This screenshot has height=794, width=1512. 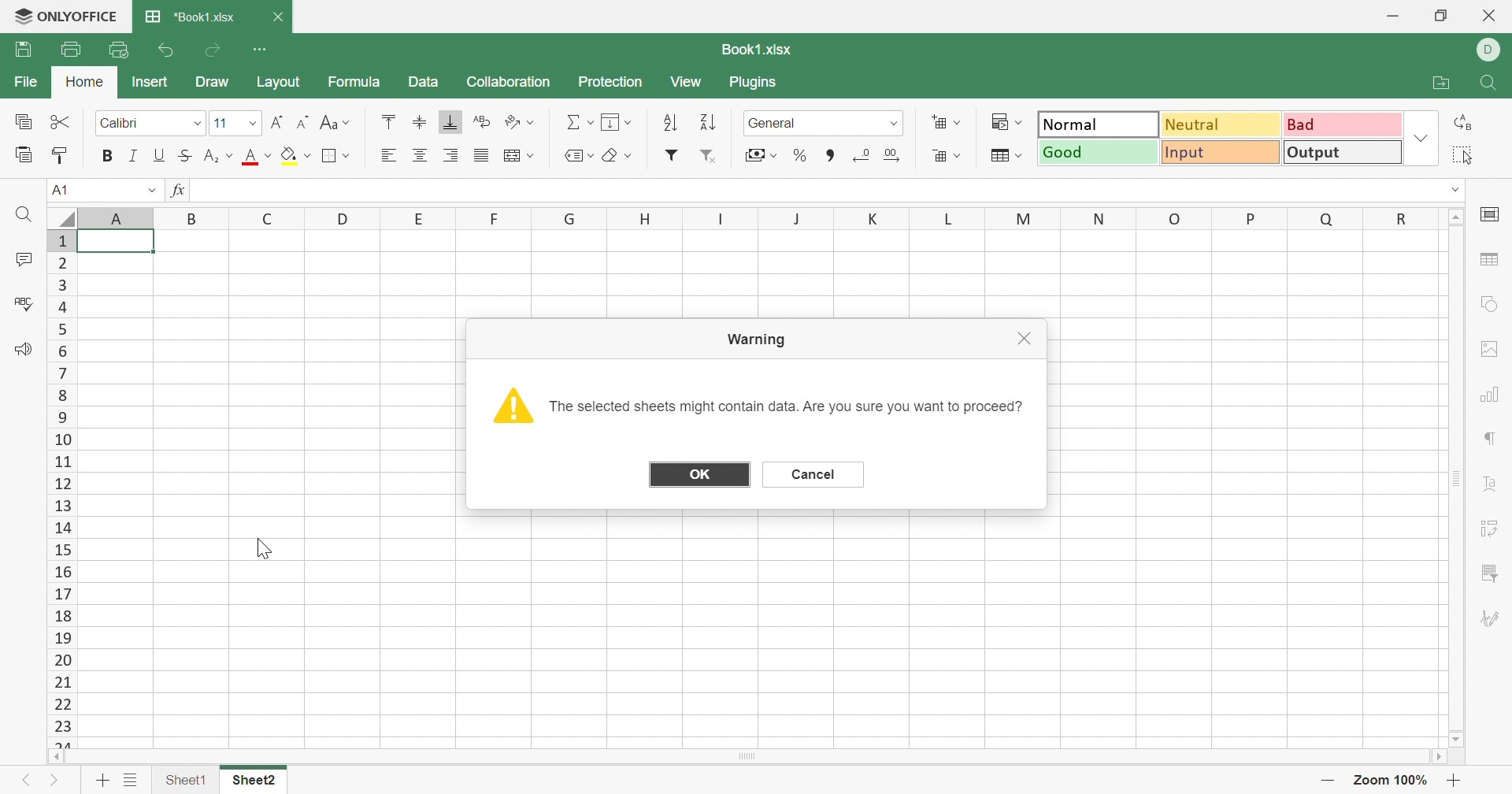 I want to click on Orientation, so click(x=510, y=121).